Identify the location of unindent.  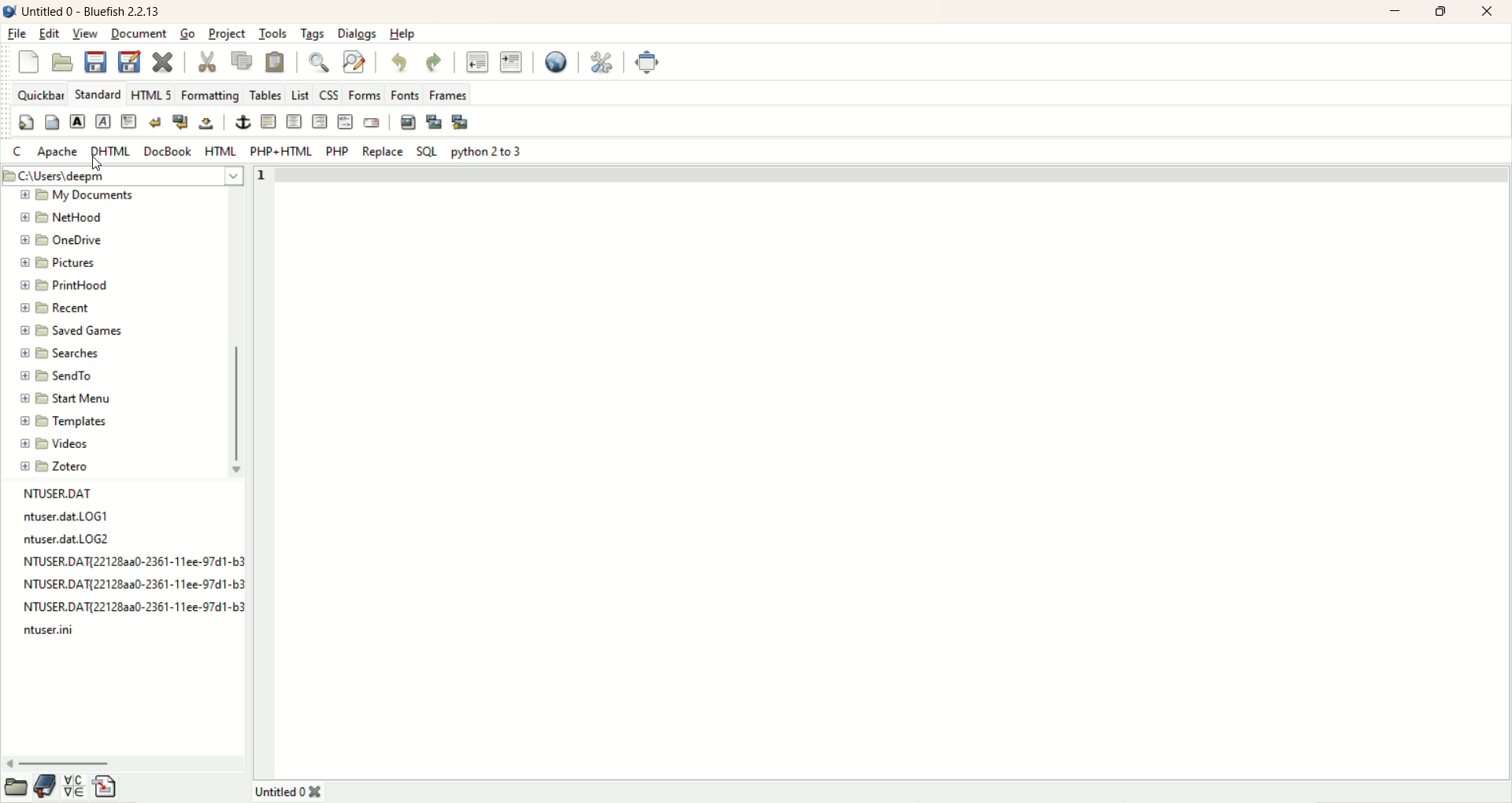
(477, 61).